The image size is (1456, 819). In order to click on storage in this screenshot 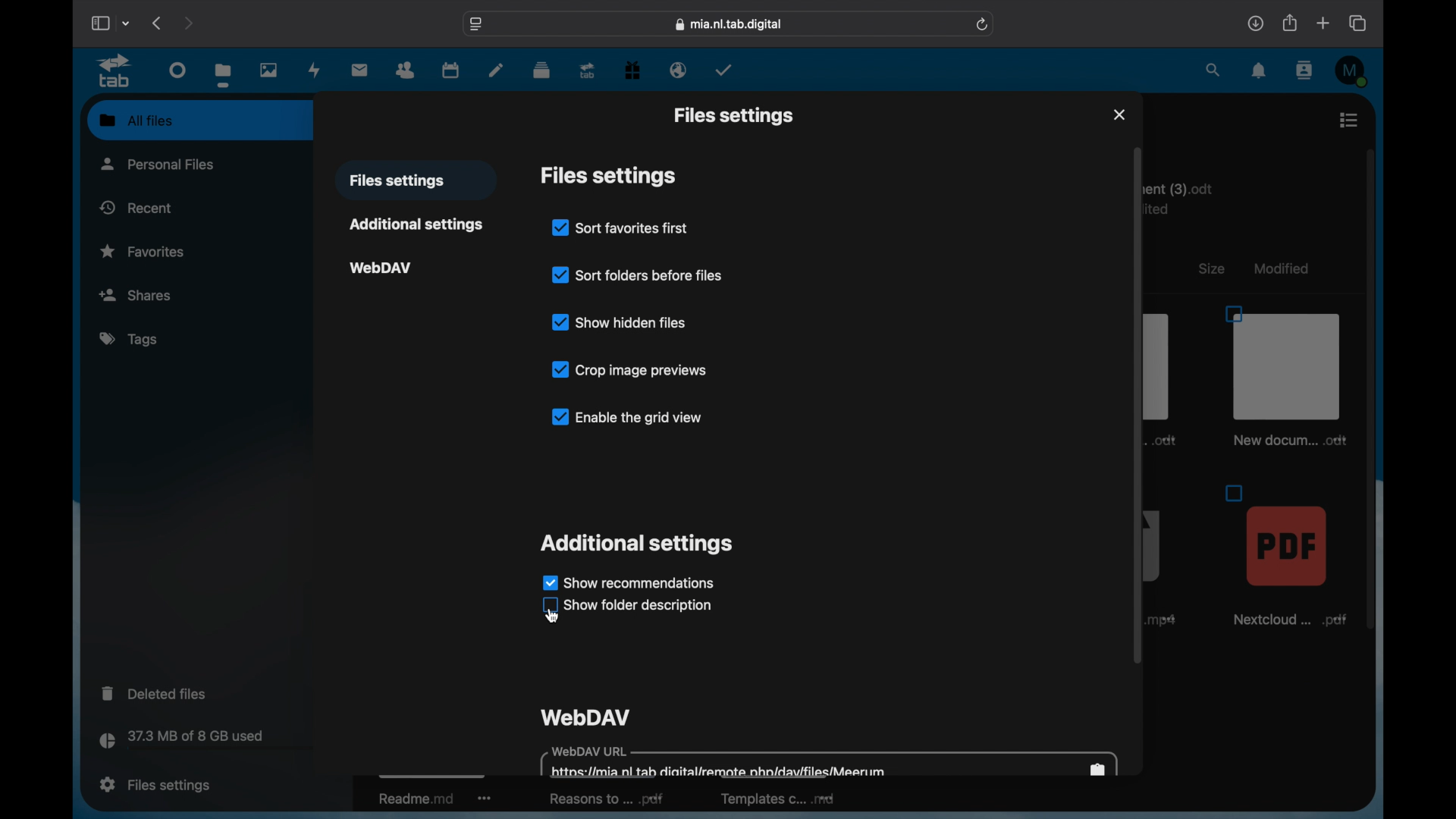, I will do `click(212, 742)`.